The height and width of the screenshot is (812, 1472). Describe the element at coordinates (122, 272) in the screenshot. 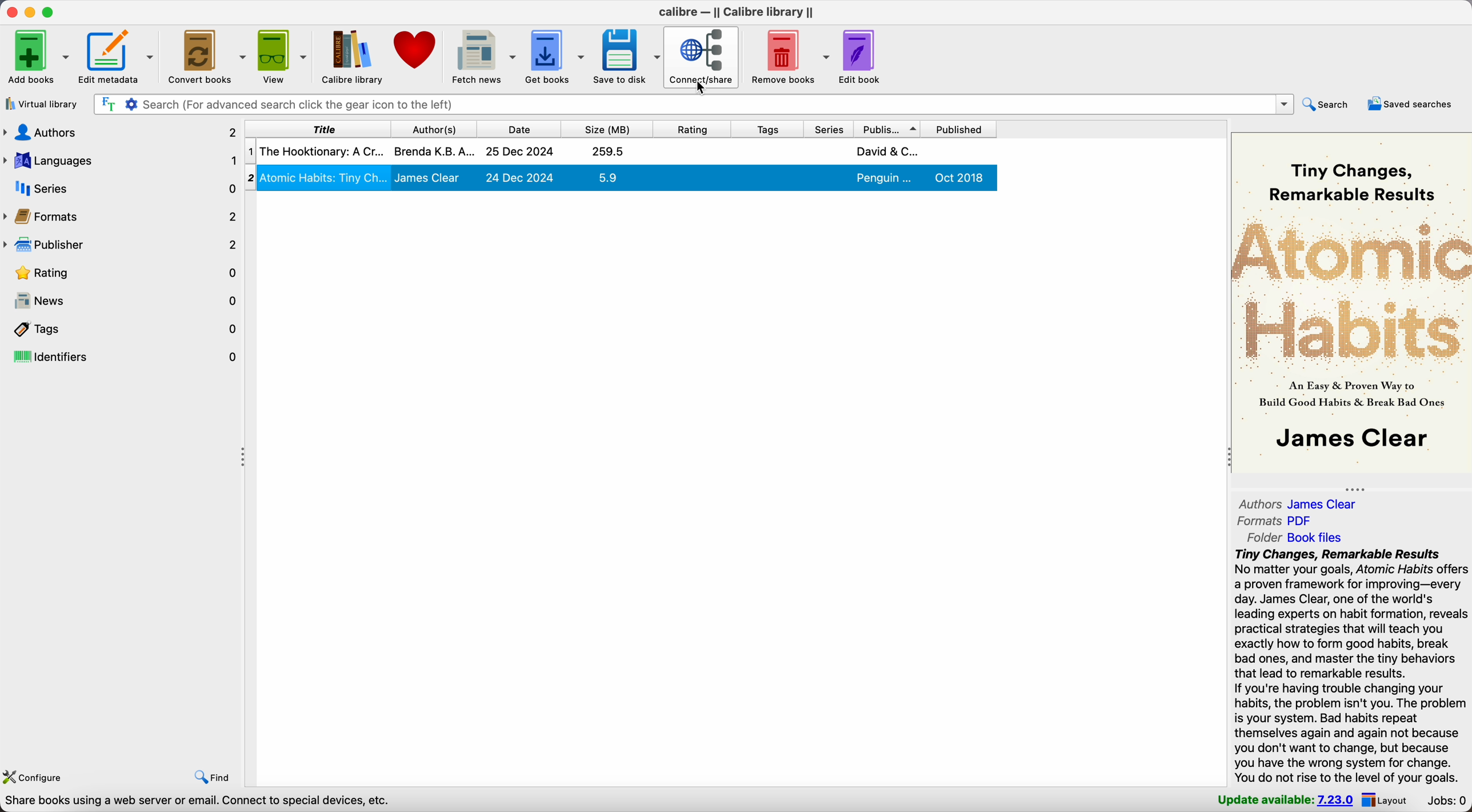

I see `rating` at that location.